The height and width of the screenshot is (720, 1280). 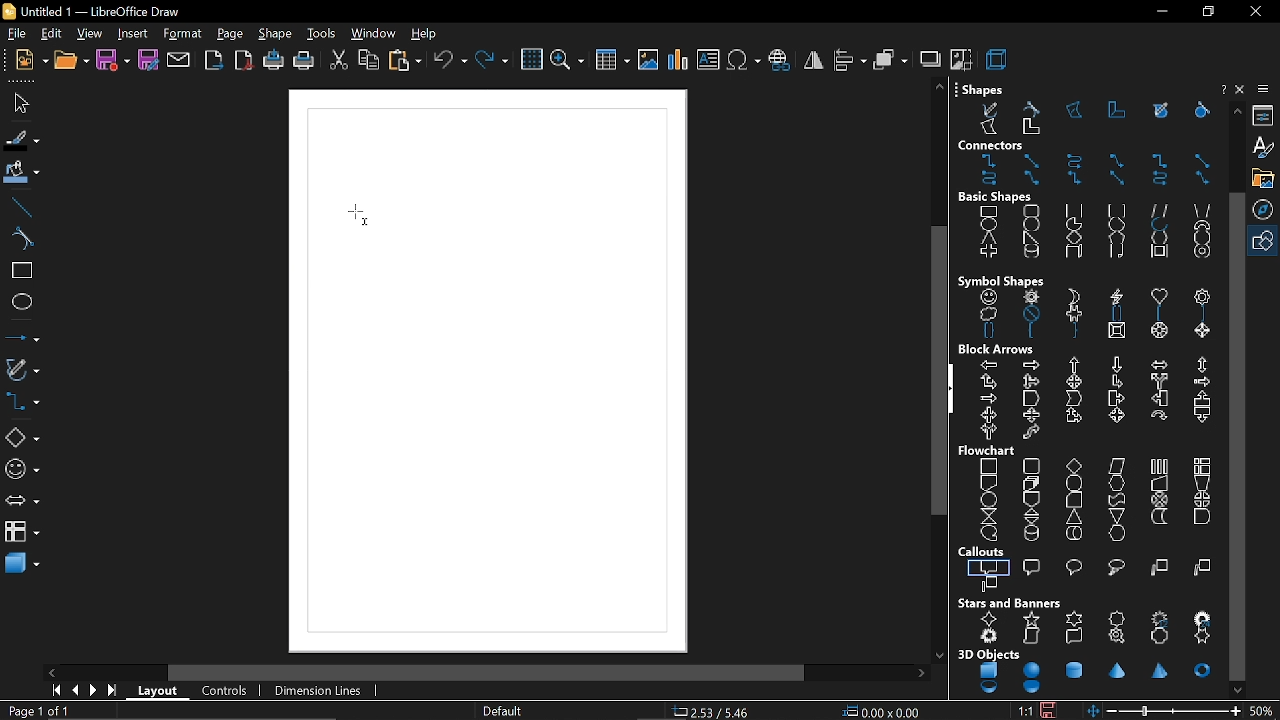 I want to click on cloud, so click(x=984, y=313).